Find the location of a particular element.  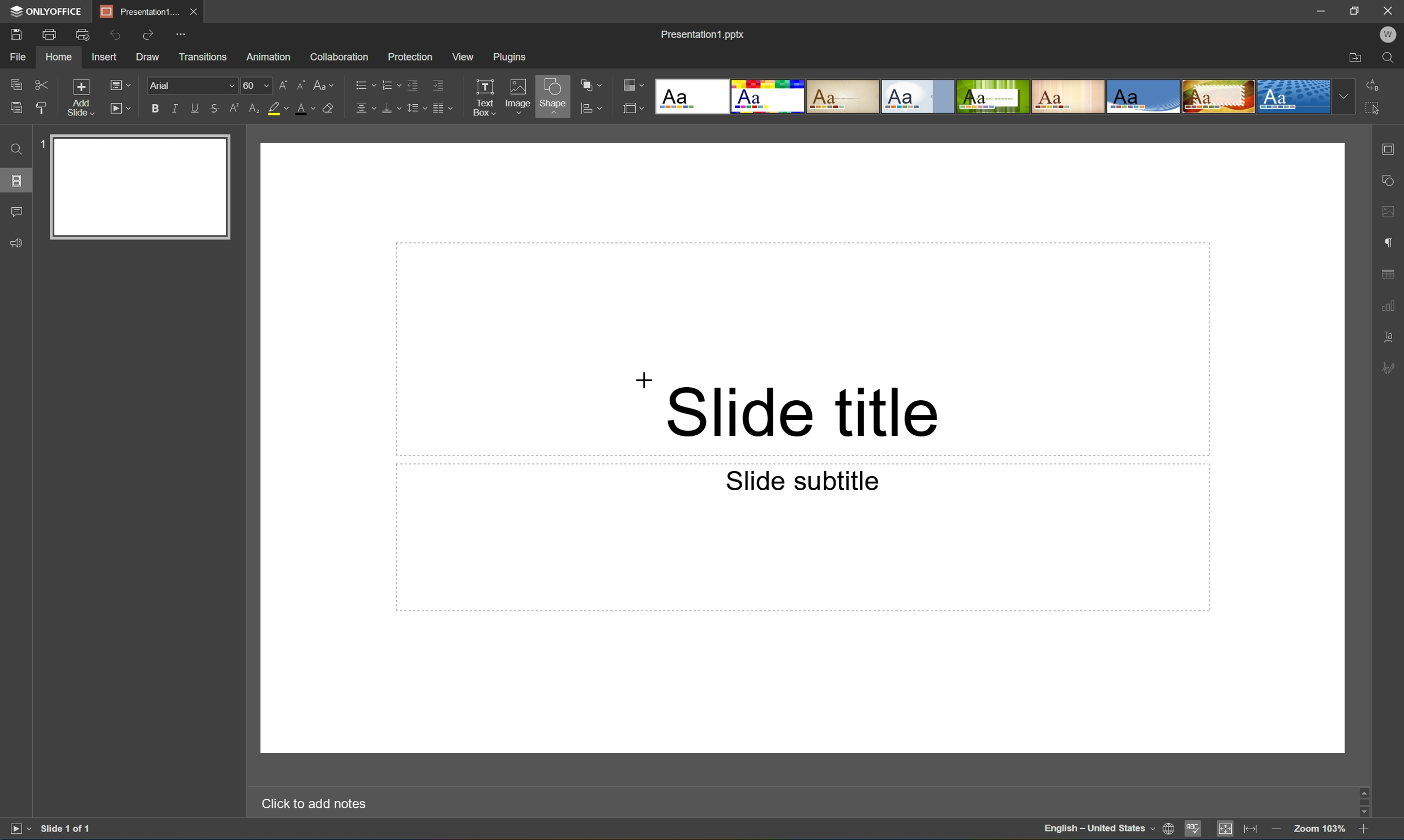

Customize quick access toolbar is located at coordinates (178, 33).